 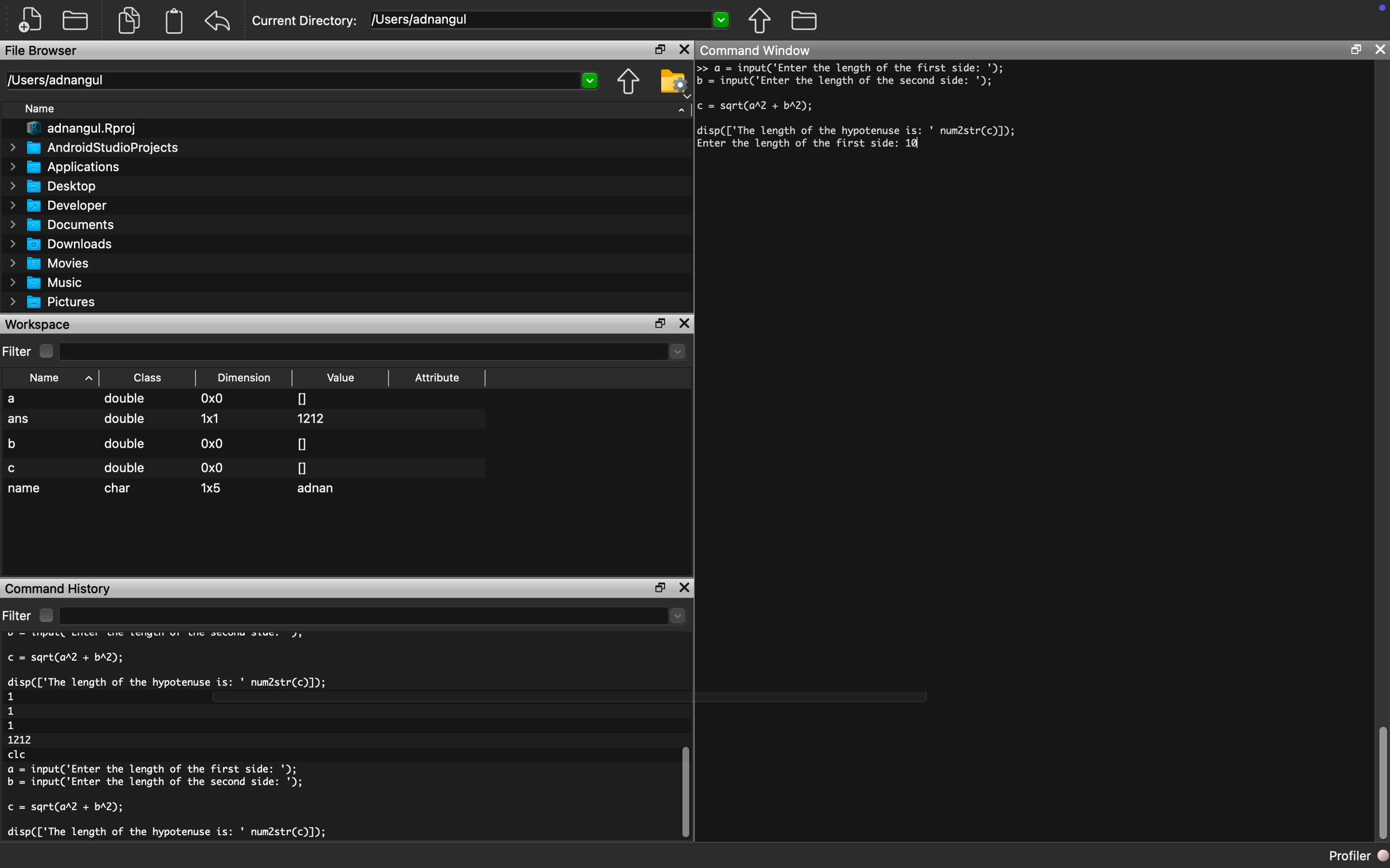 What do you see at coordinates (302, 443) in the screenshot?
I see `0` at bounding box center [302, 443].